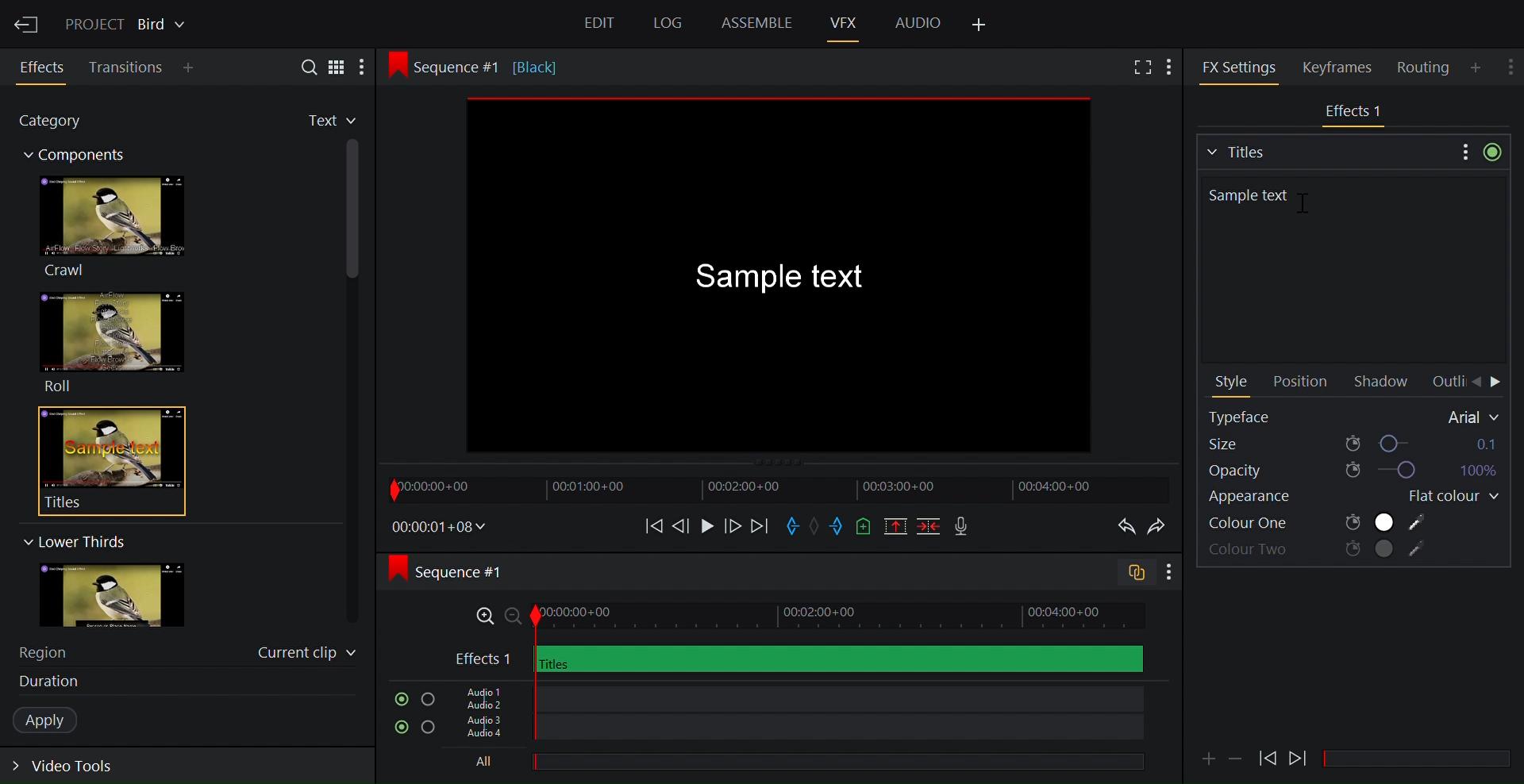  What do you see at coordinates (1463, 151) in the screenshot?
I see `Show settings menu` at bounding box center [1463, 151].